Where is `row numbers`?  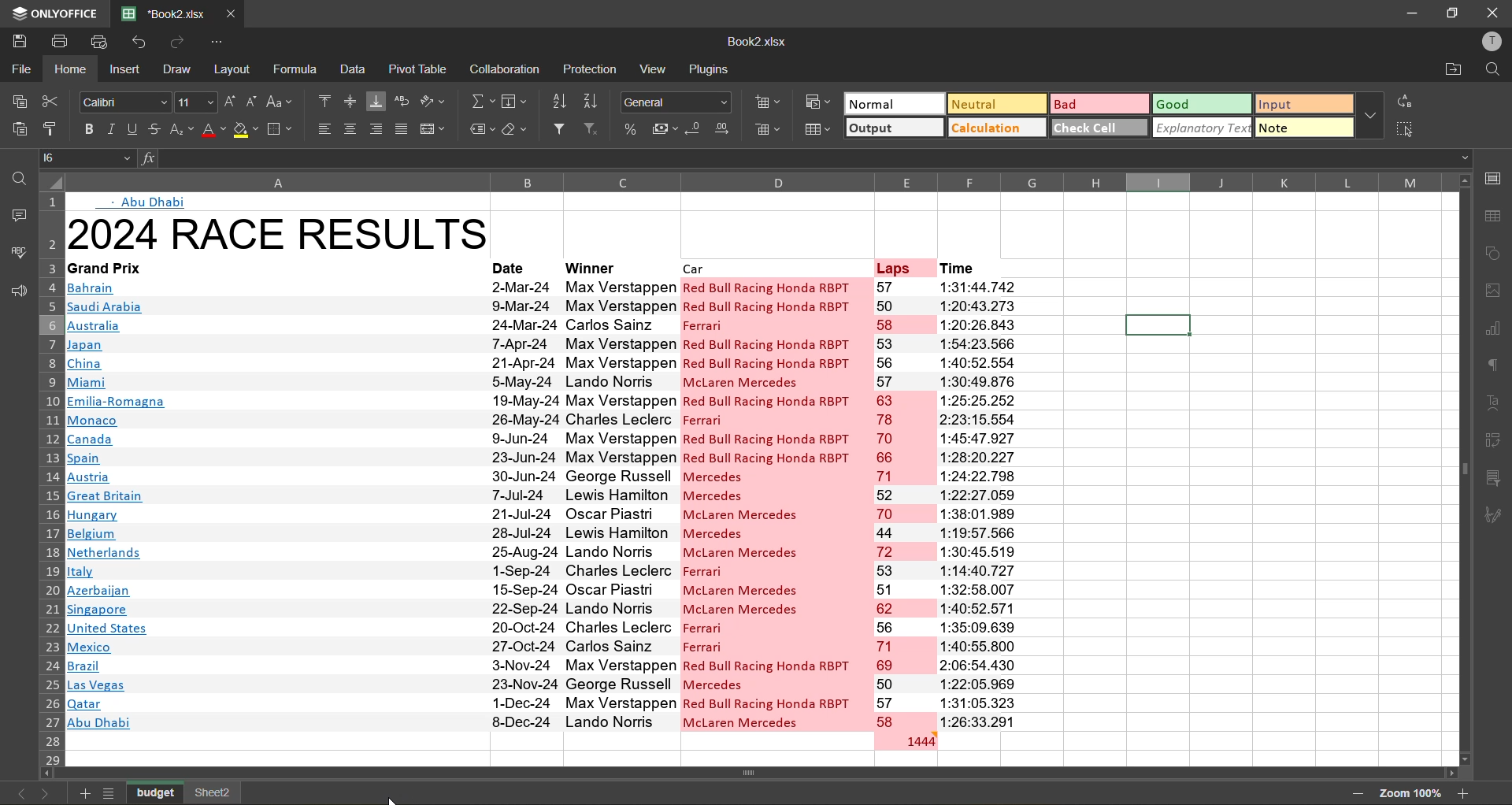
row numbers is located at coordinates (49, 477).